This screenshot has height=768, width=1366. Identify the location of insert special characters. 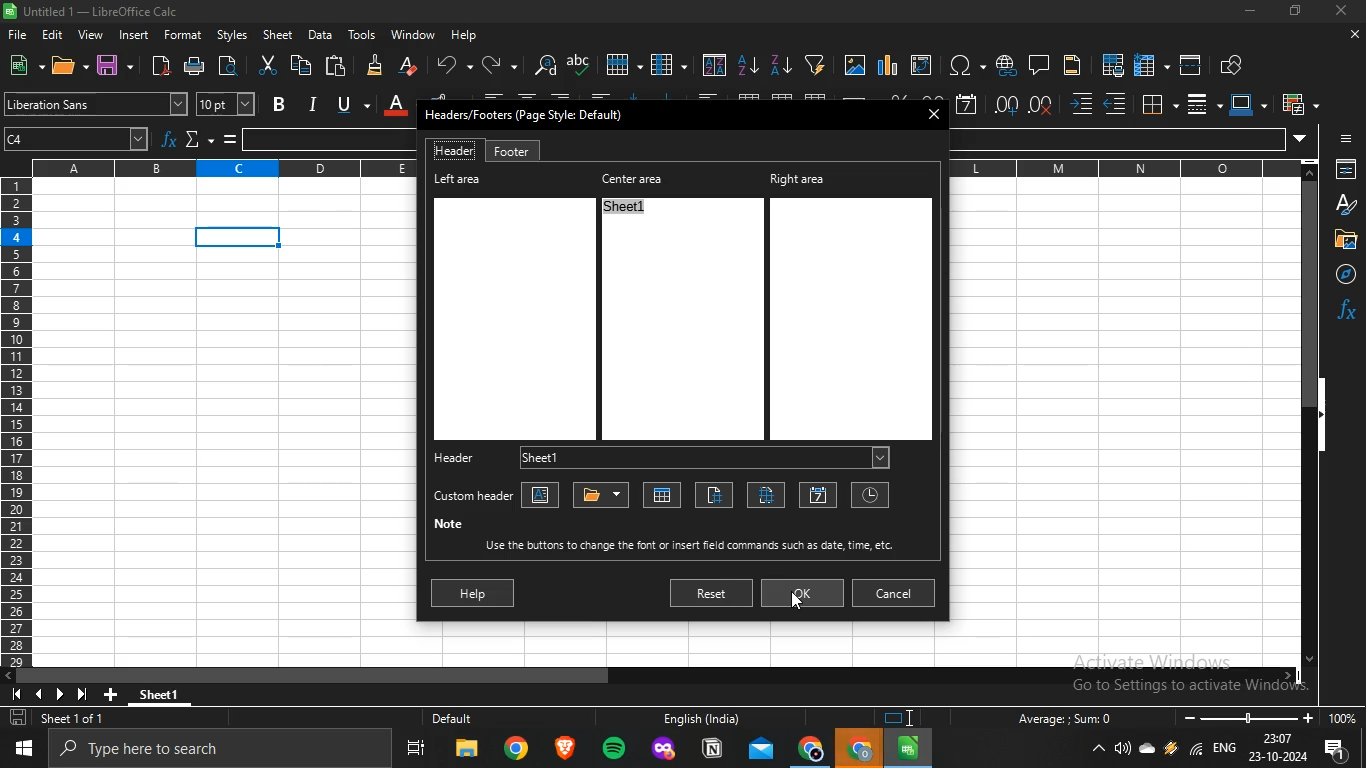
(962, 65).